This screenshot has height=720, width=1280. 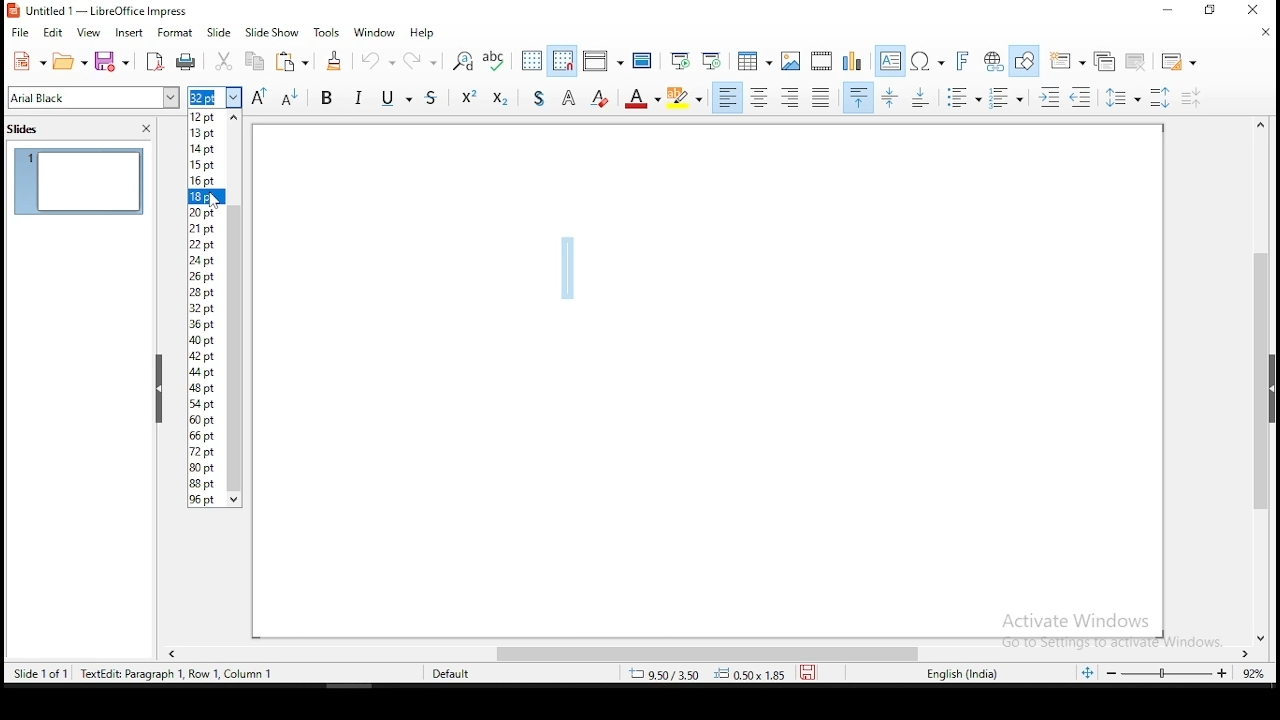 I want to click on close window, so click(x=1249, y=9).